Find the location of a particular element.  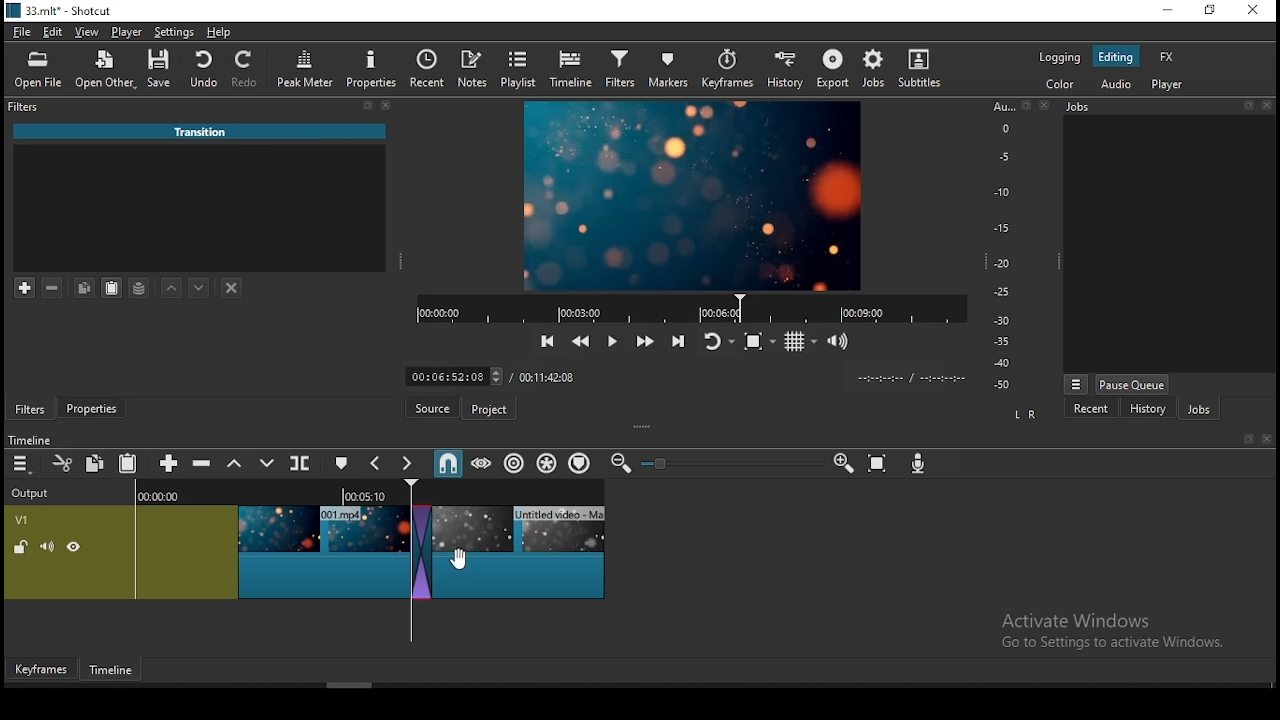

show video volume control is located at coordinates (837, 337).